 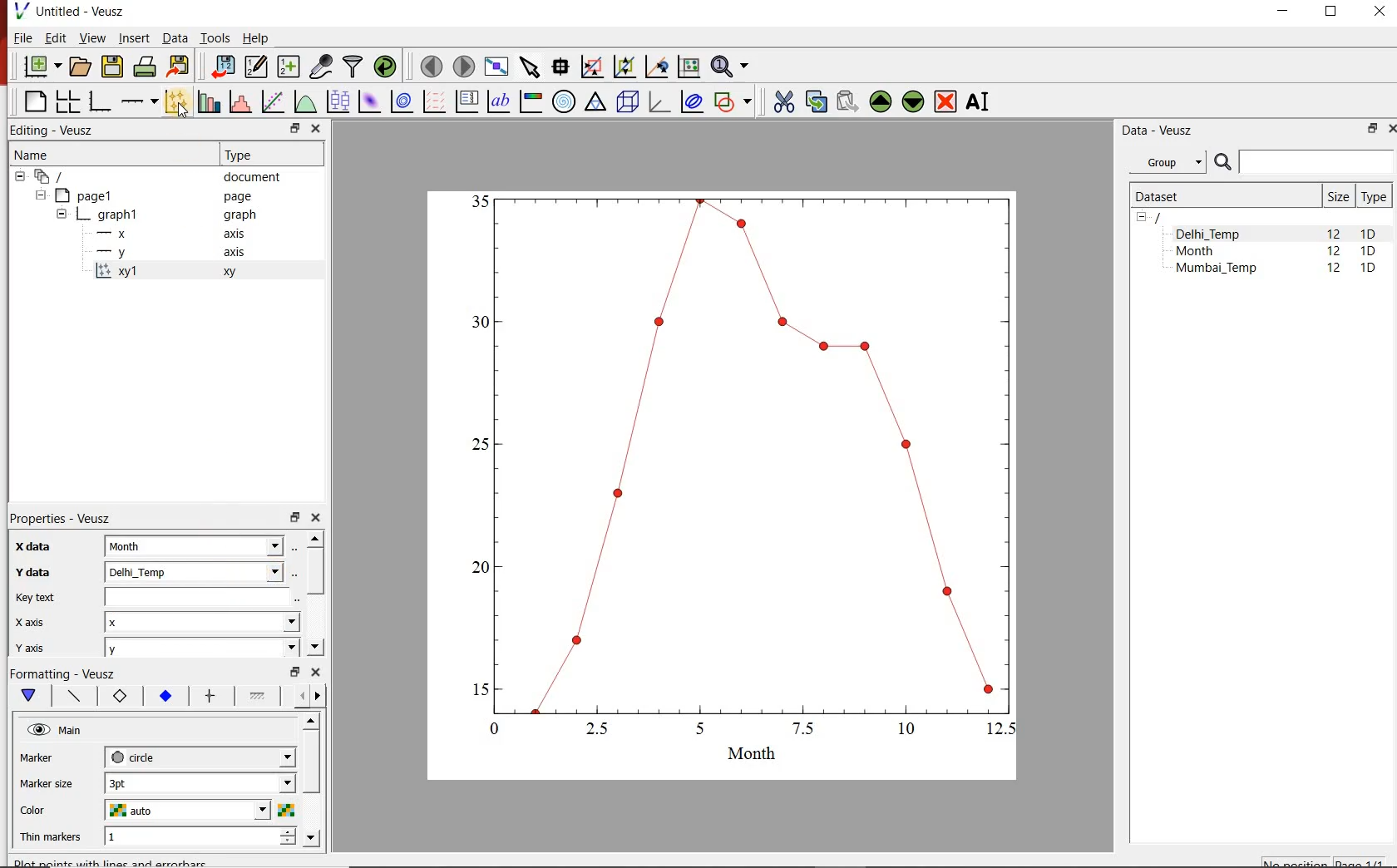 What do you see at coordinates (26, 620) in the screenshot?
I see `x axix` at bounding box center [26, 620].